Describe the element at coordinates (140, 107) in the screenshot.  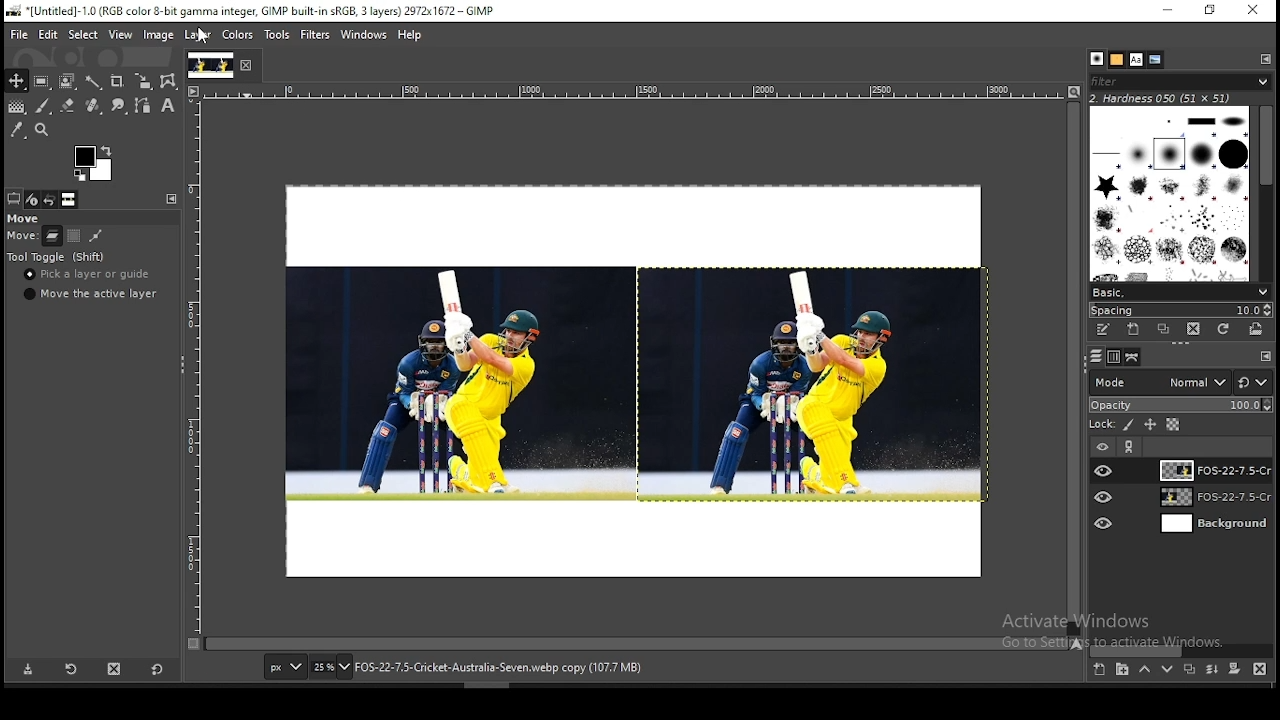
I see `paths tool` at that location.